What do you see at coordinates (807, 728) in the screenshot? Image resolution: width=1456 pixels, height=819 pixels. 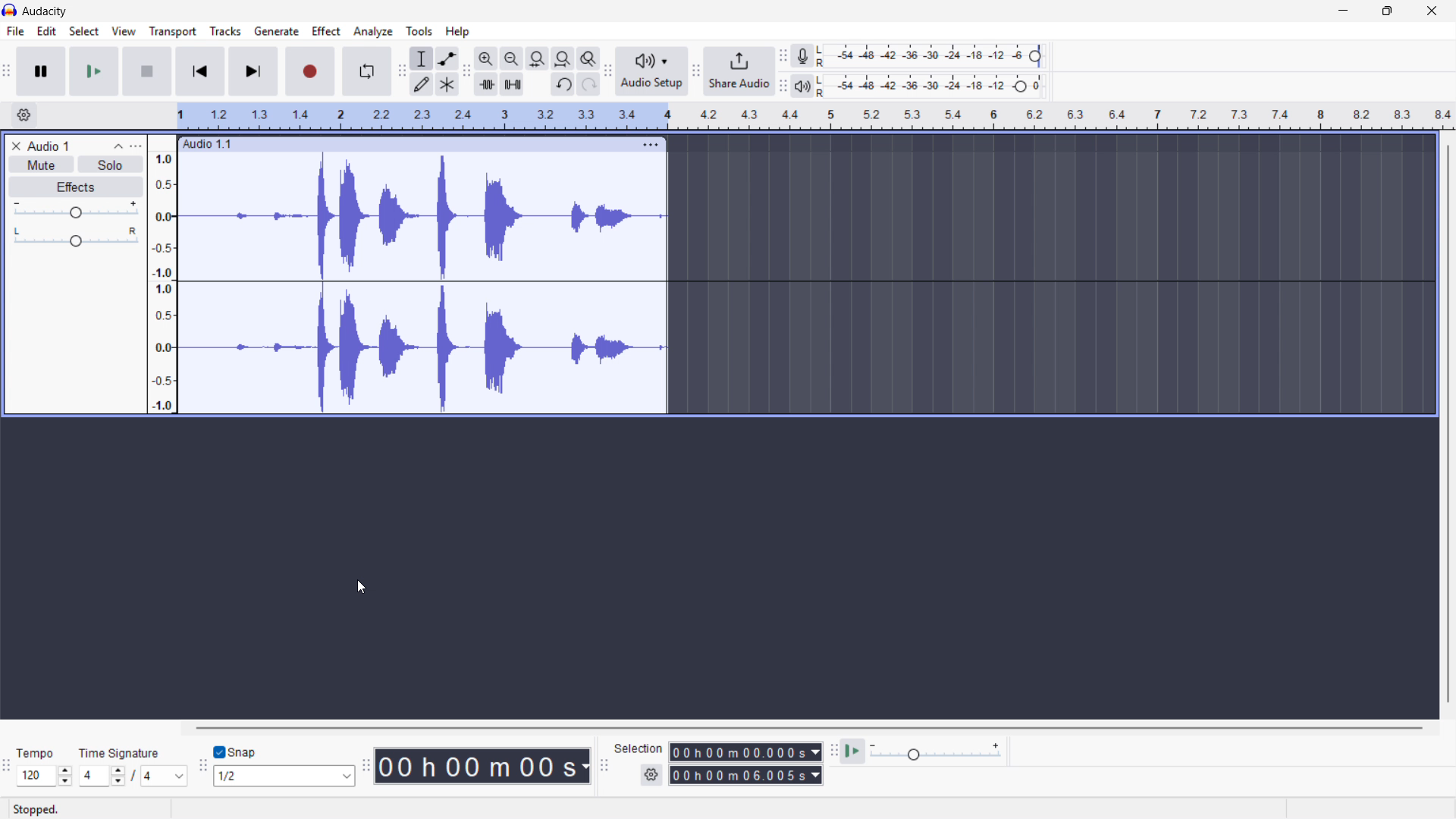 I see `Horizontal scroll bar` at bounding box center [807, 728].